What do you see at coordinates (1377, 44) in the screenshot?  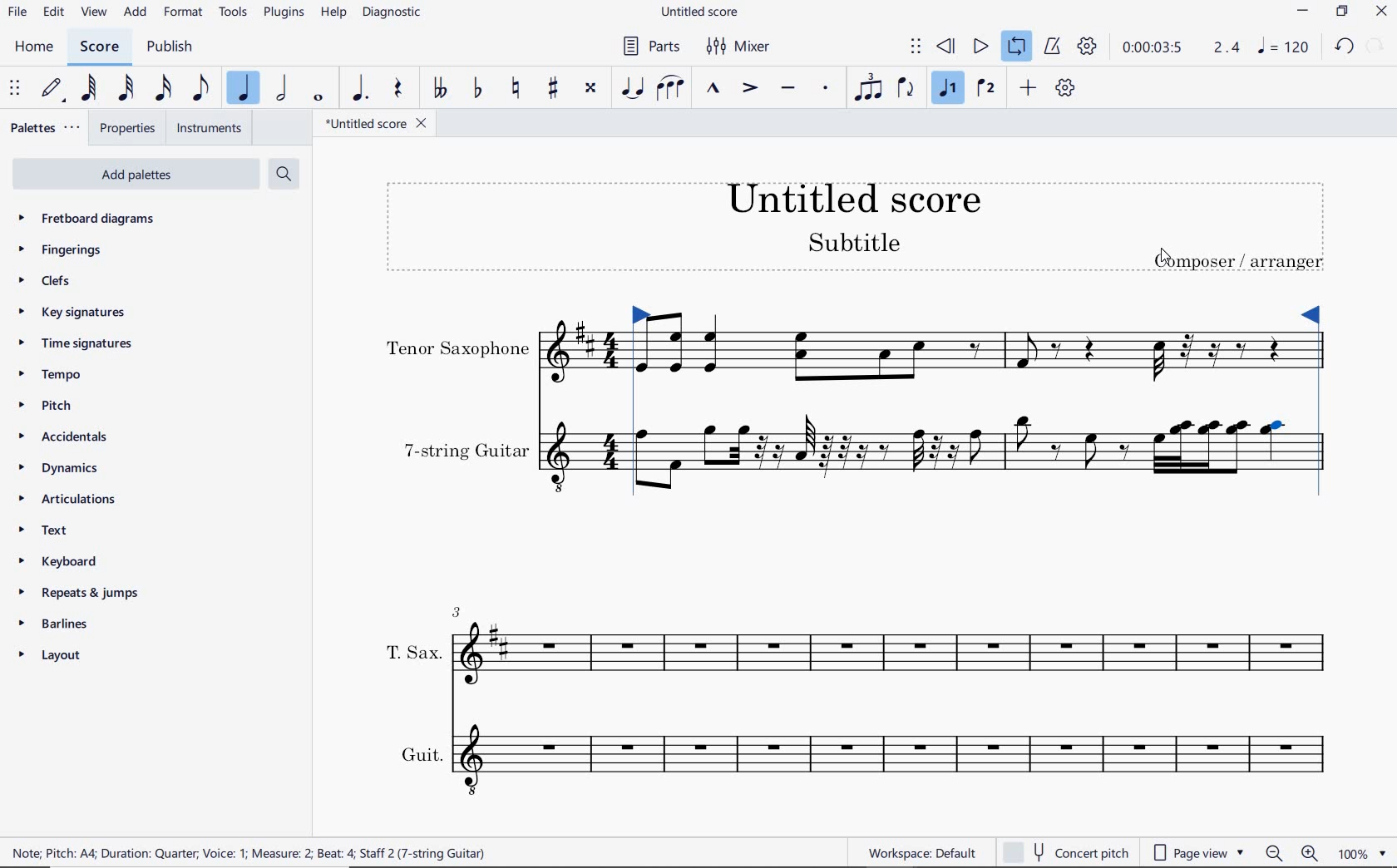 I see `REDO` at bounding box center [1377, 44].